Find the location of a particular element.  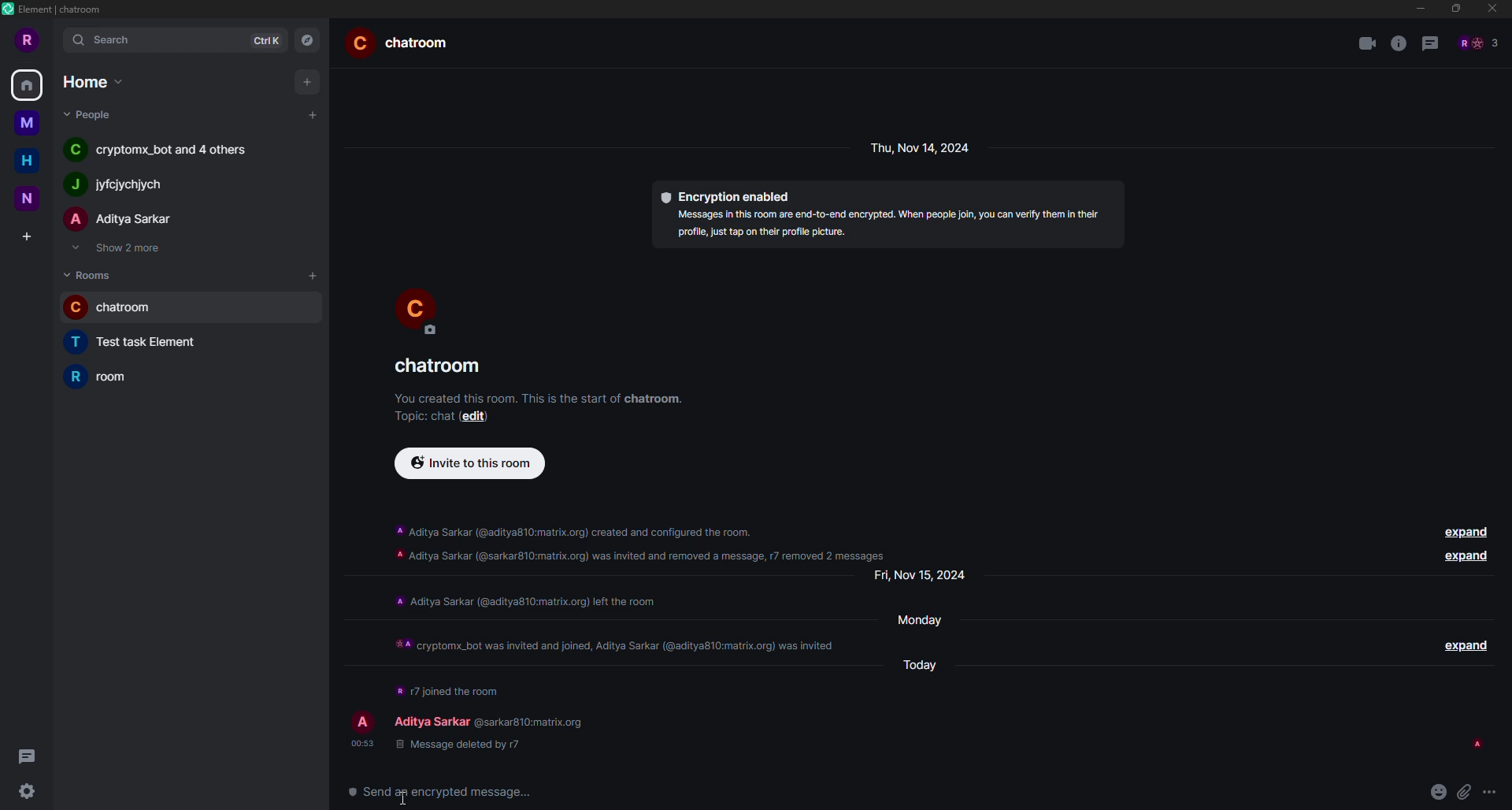

room is located at coordinates (405, 42).